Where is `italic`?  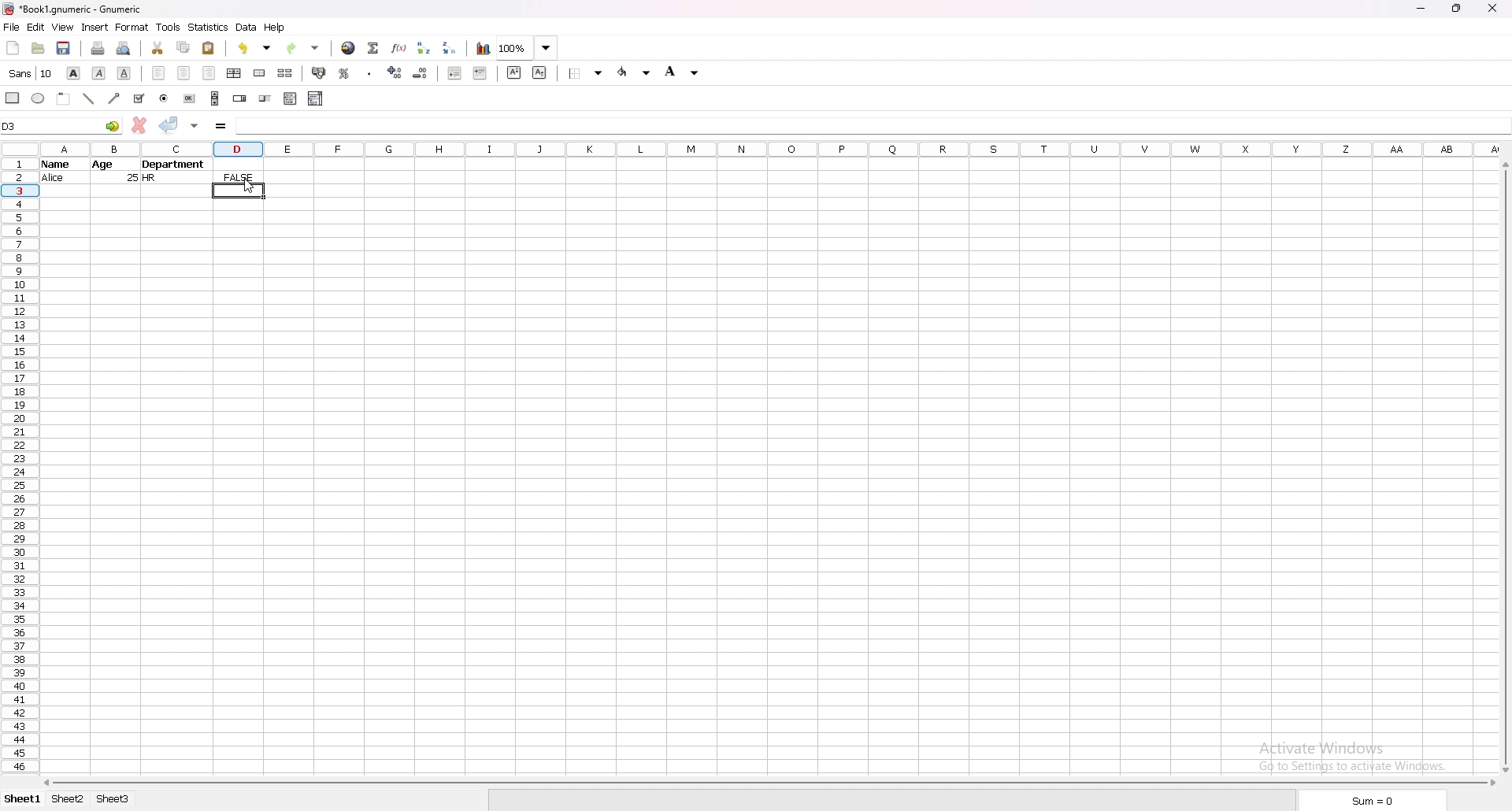
italic is located at coordinates (99, 73).